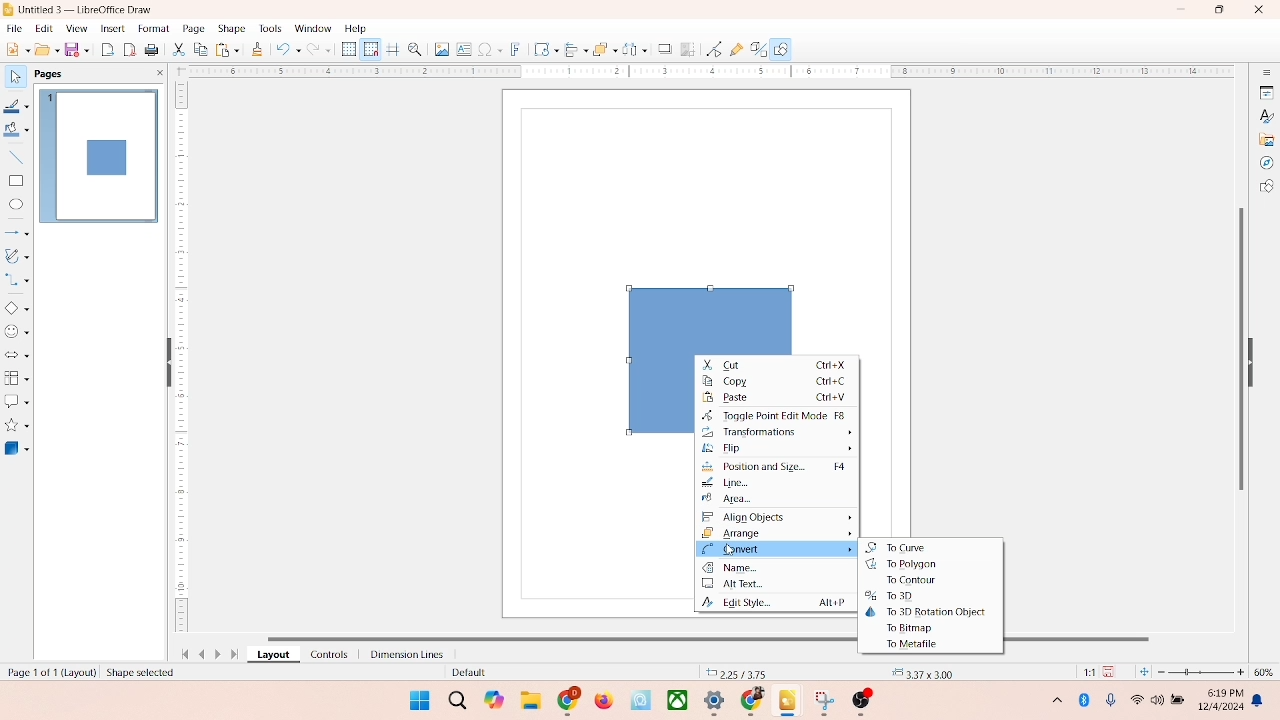 This screenshot has height=720, width=1280. What do you see at coordinates (191, 29) in the screenshot?
I see `page` at bounding box center [191, 29].